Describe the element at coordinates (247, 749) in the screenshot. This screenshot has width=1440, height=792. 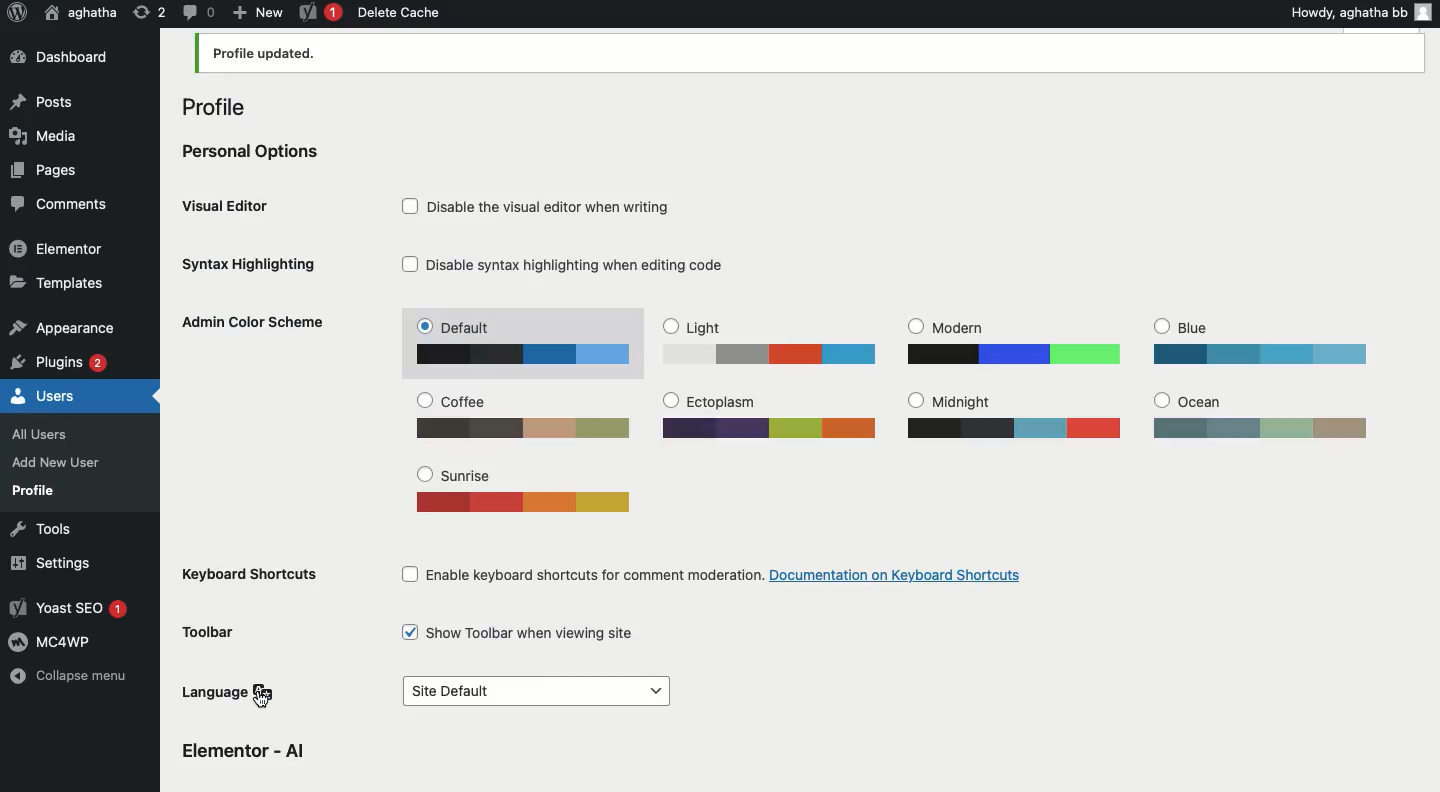
I see `` at that location.